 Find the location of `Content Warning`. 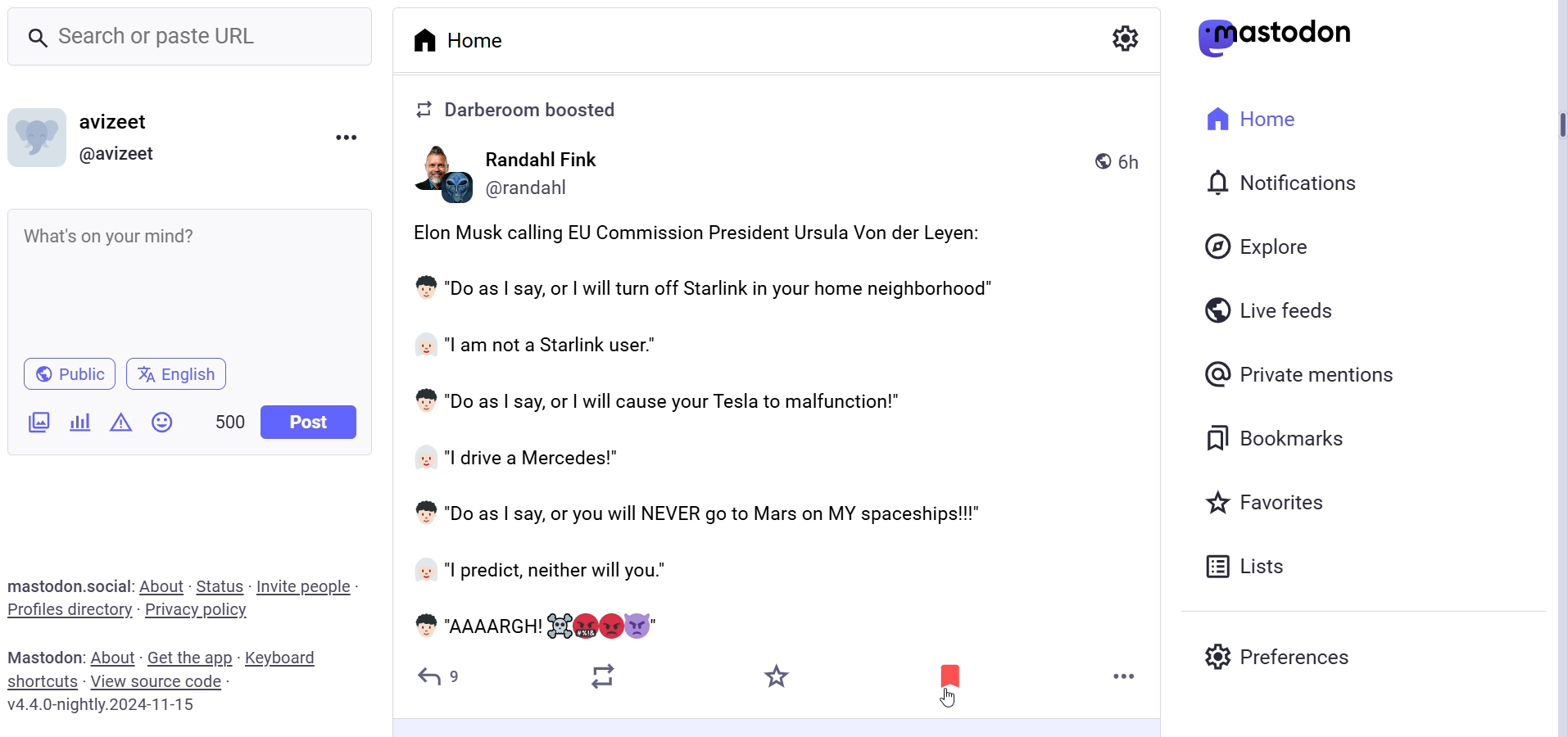

Content Warning is located at coordinates (120, 423).